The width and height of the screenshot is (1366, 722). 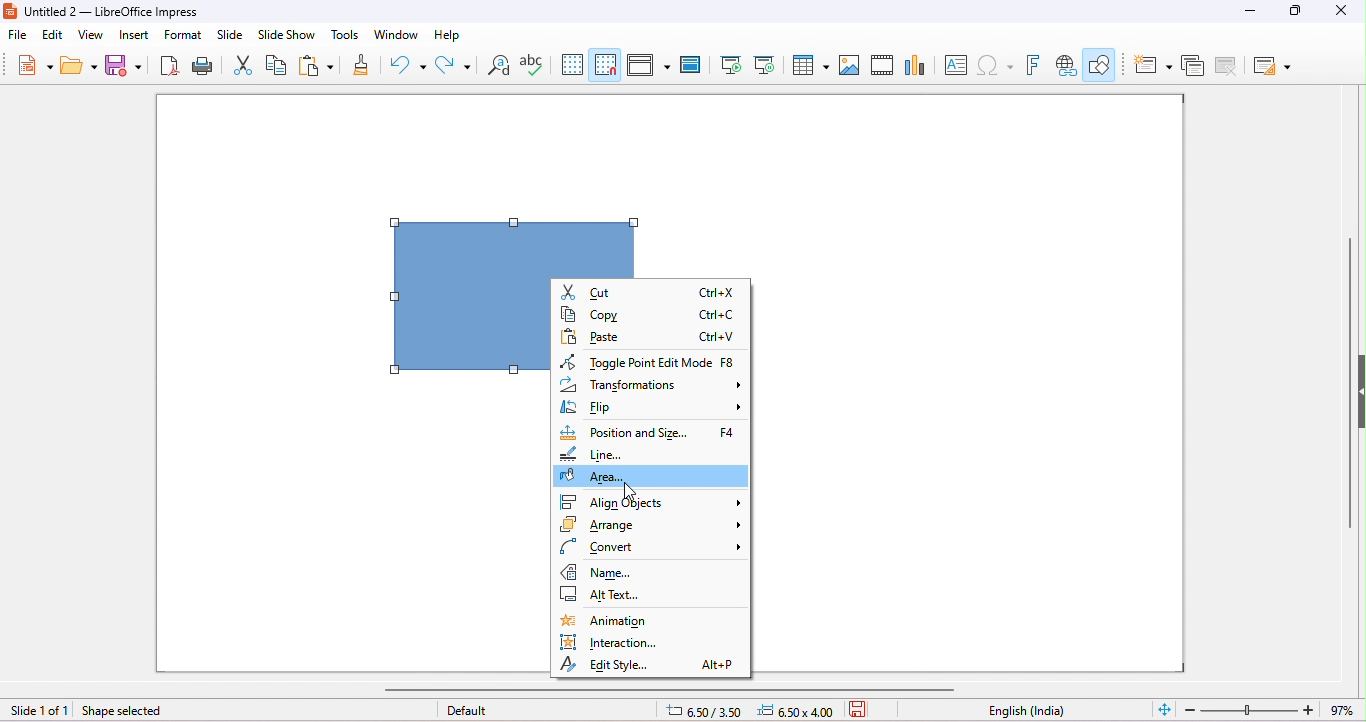 I want to click on new slide, so click(x=1153, y=66).